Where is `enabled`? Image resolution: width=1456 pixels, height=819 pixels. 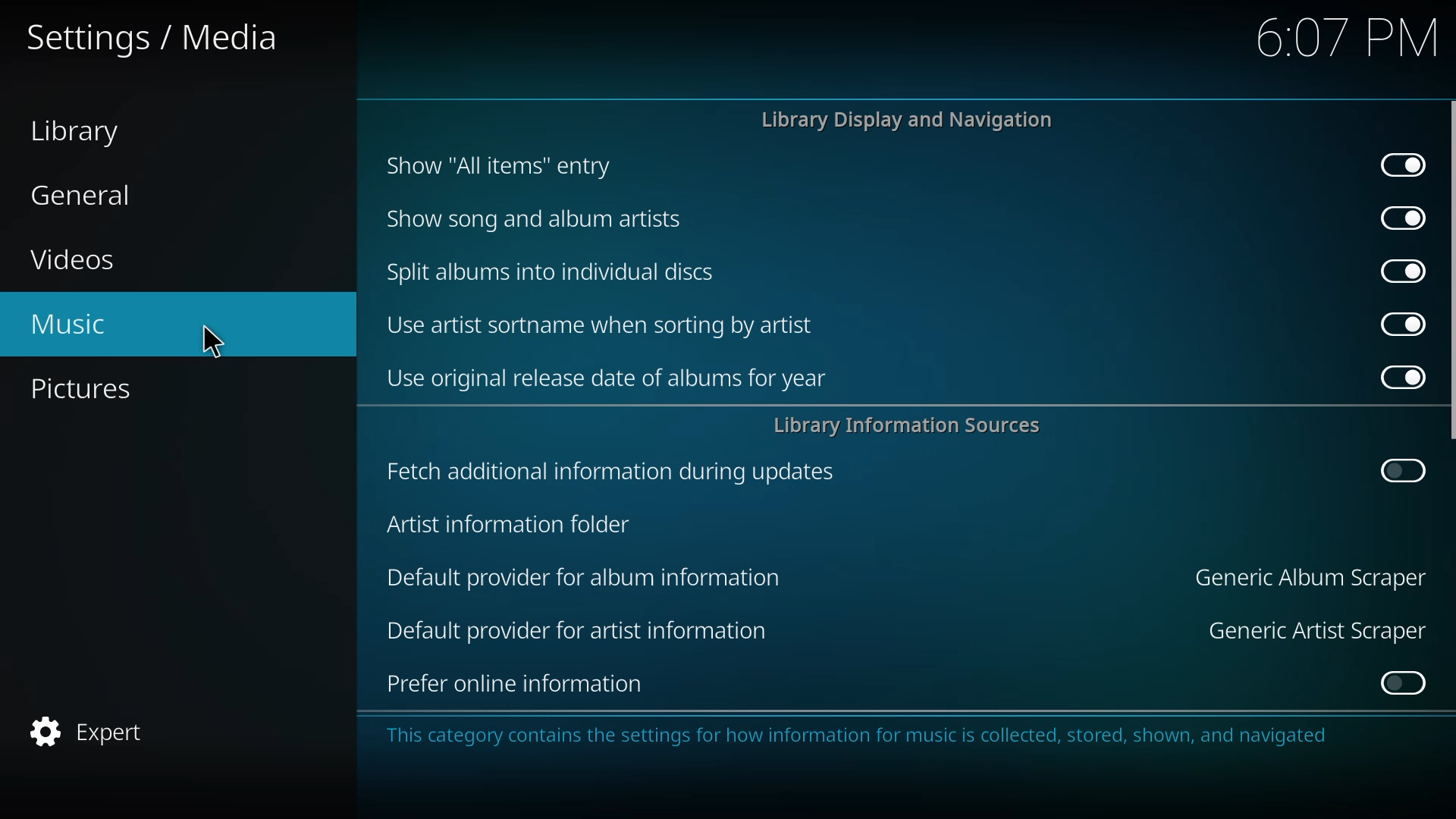
enabled is located at coordinates (1402, 376).